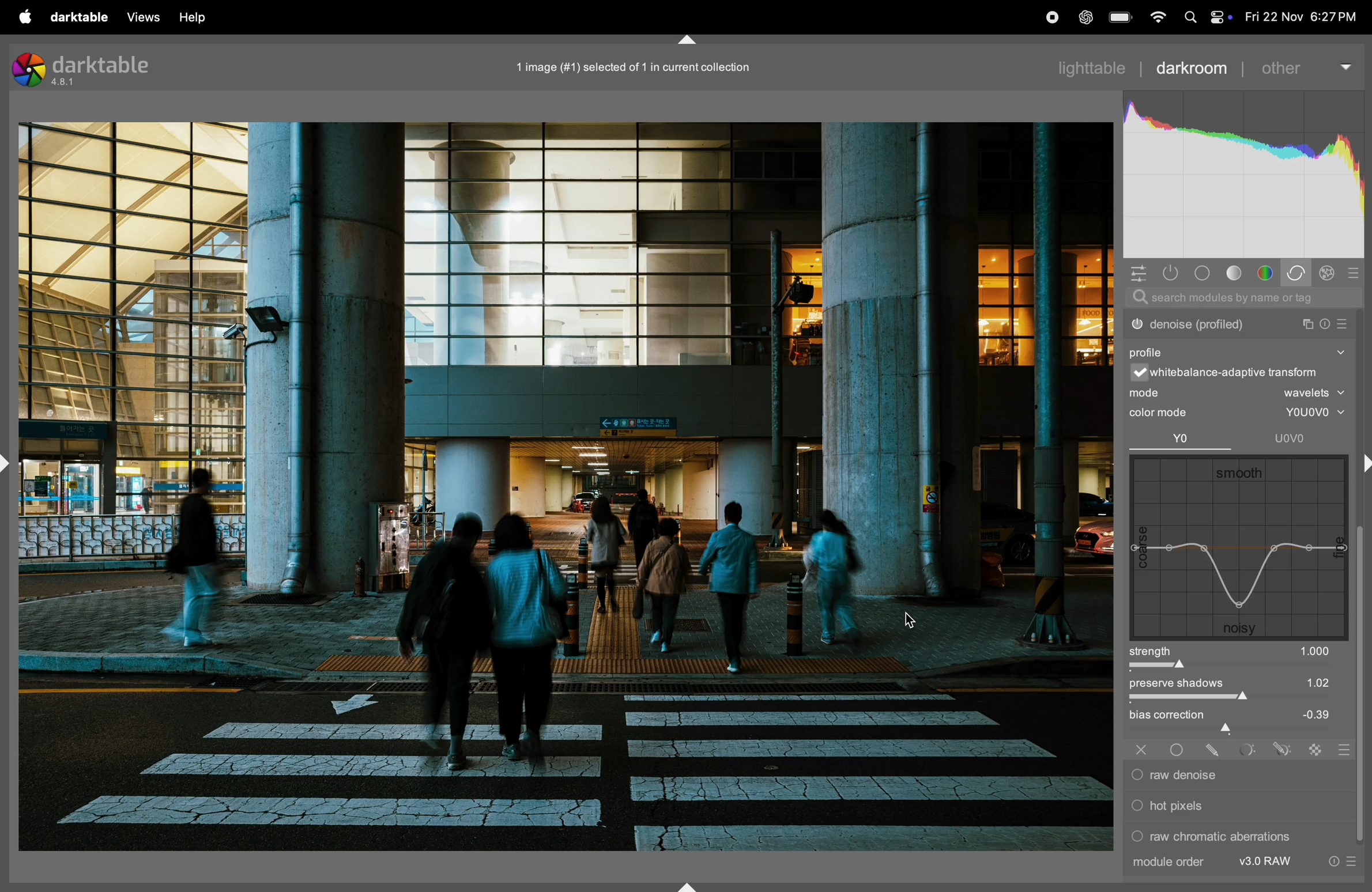  What do you see at coordinates (1216, 750) in the screenshot?
I see `drawn mask` at bounding box center [1216, 750].